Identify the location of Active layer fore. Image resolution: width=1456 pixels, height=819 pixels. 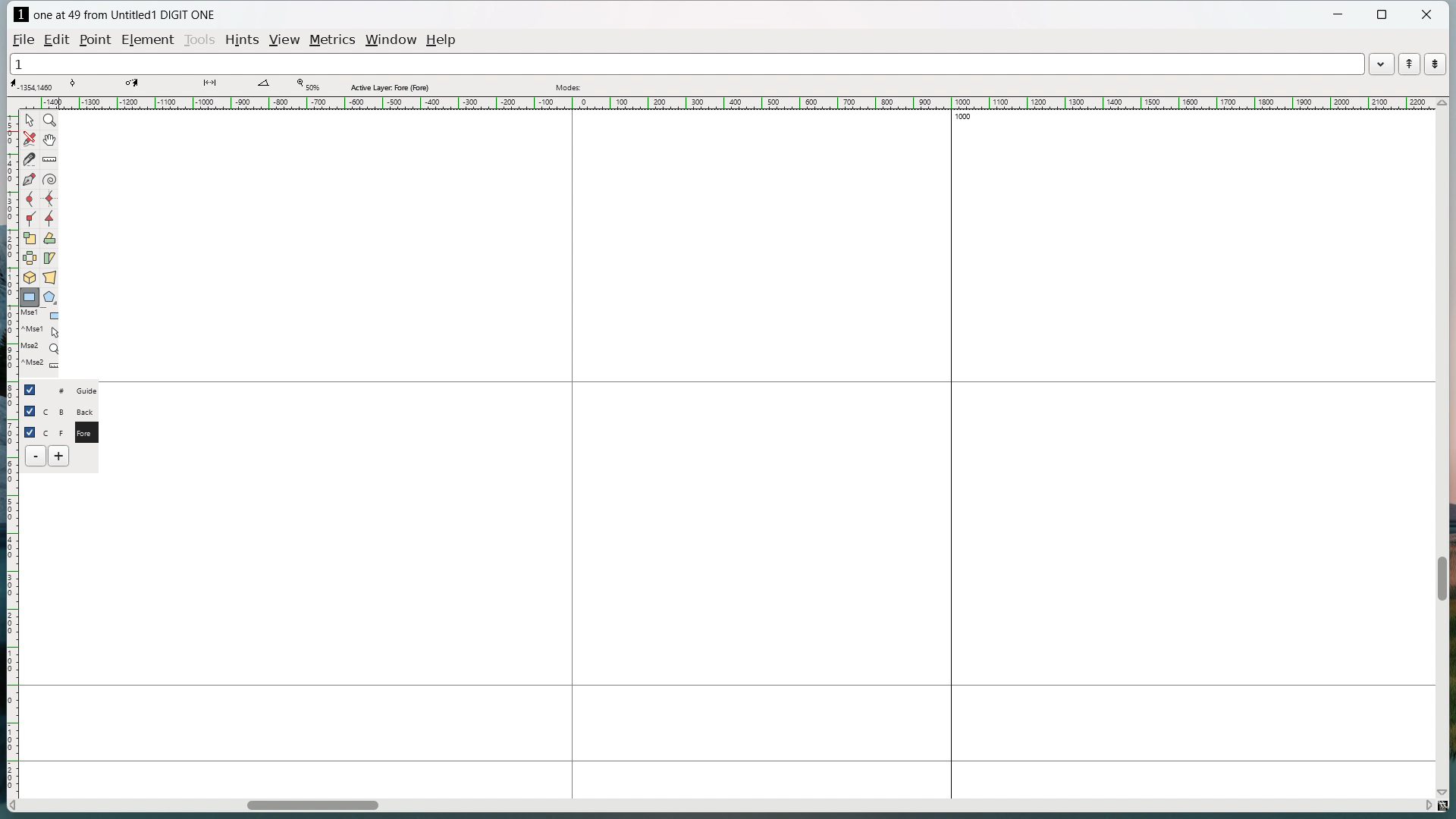
(391, 86).